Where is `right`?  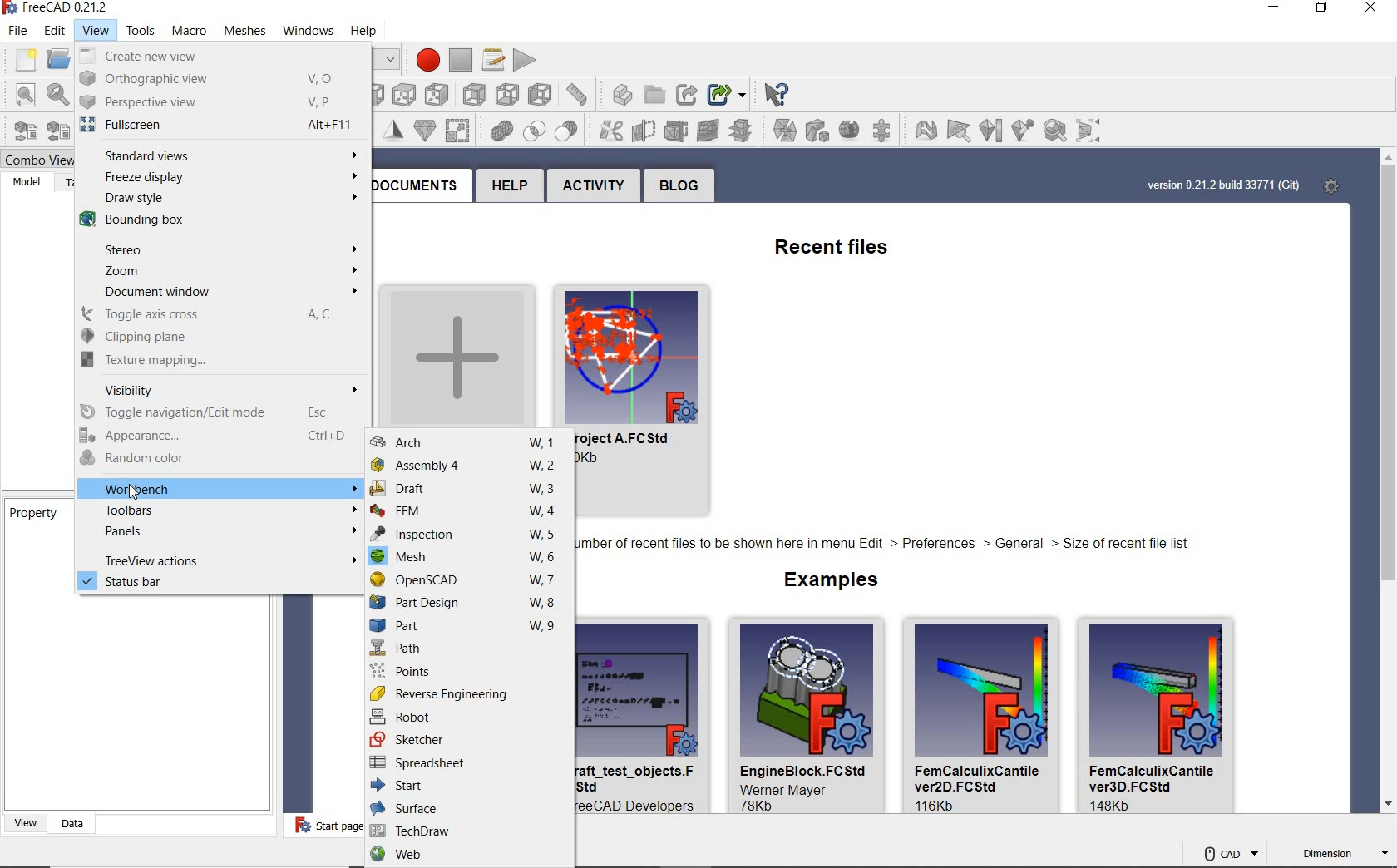 right is located at coordinates (403, 91).